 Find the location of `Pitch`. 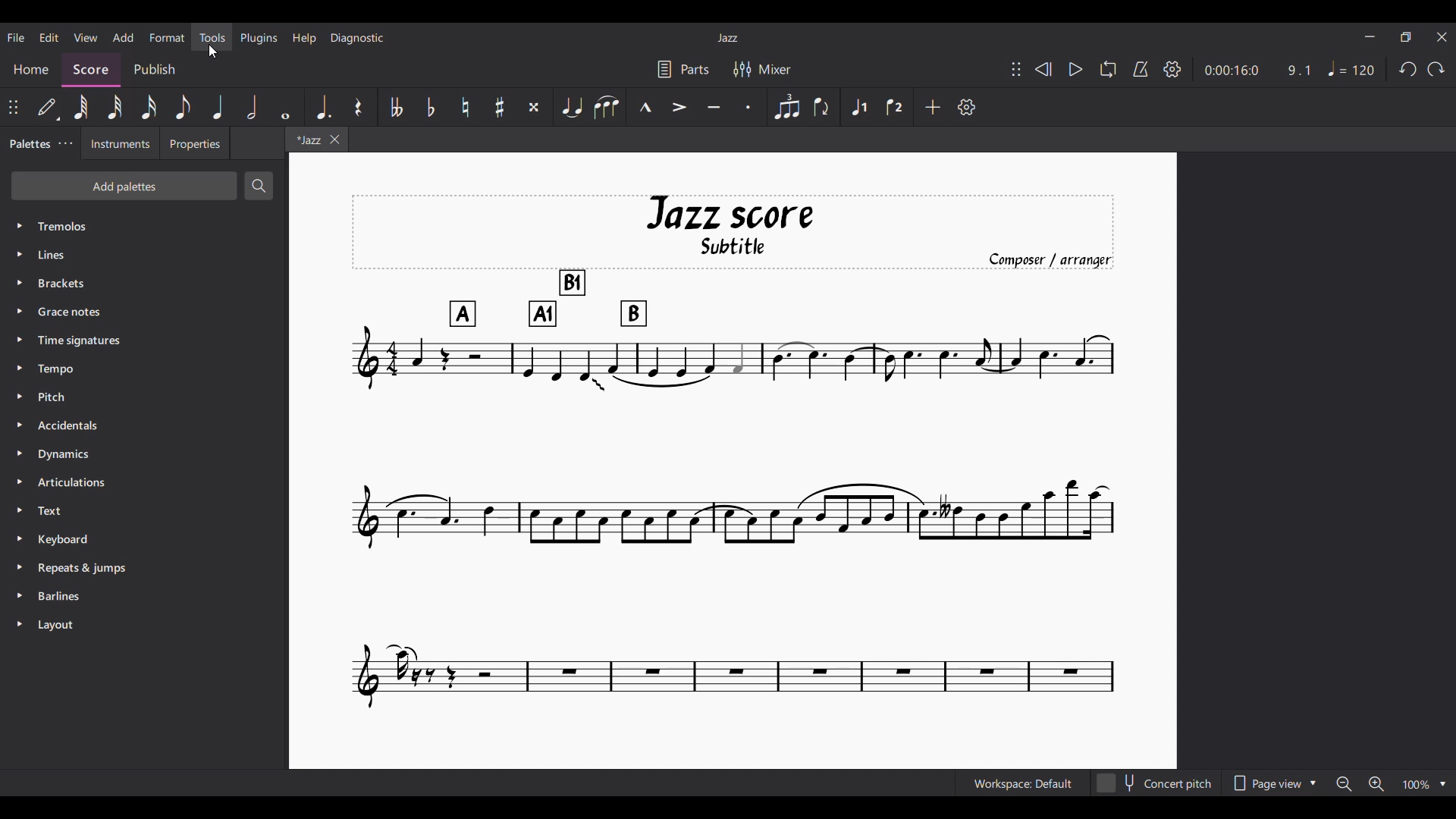

Pitch is located at coordinates (143, 397).